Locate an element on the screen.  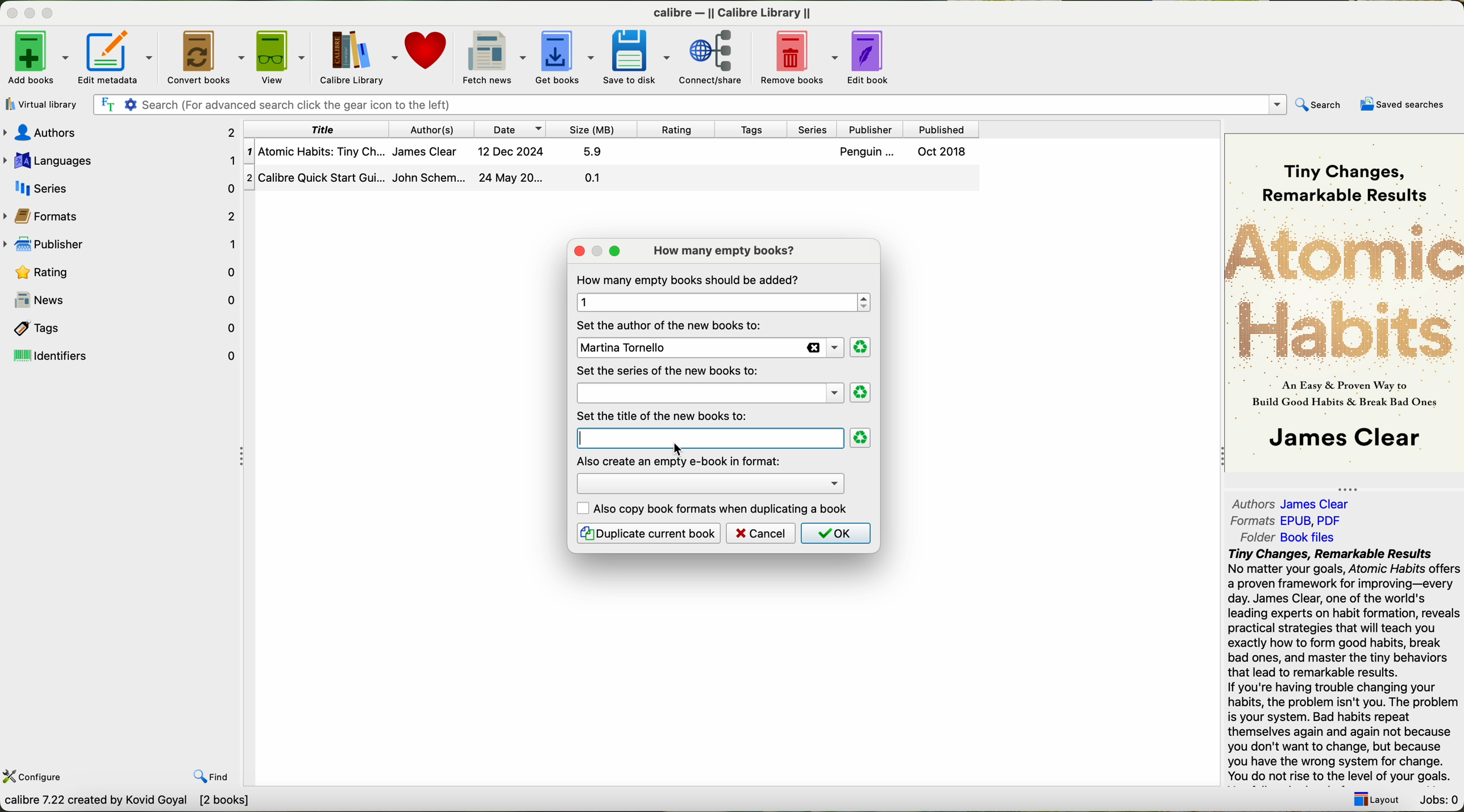
cancel button is located at coordinates (761, 533).